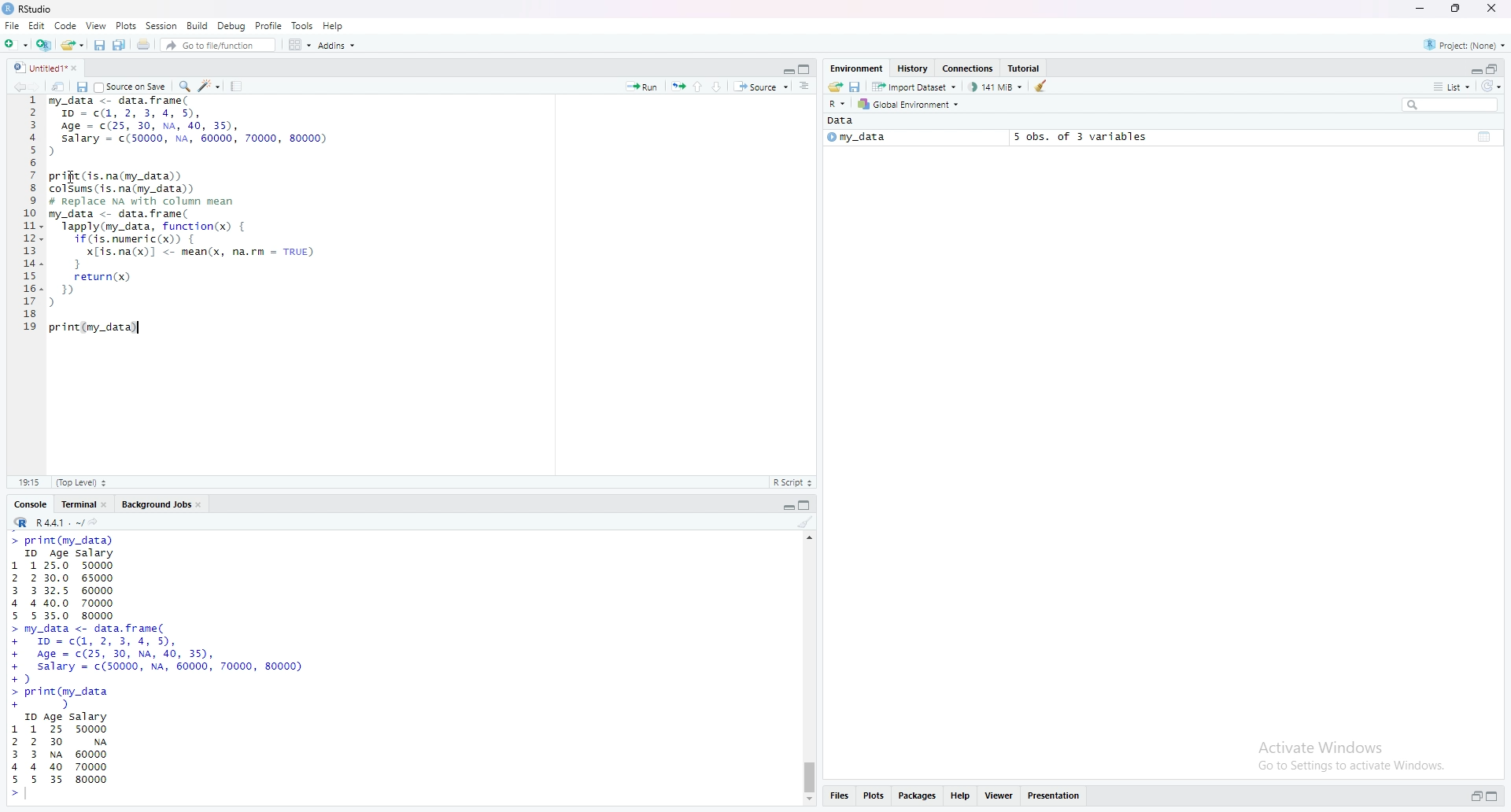  Describe the element at coordinates (86, 504) in the screenshot. I see `Terminal` at that location.